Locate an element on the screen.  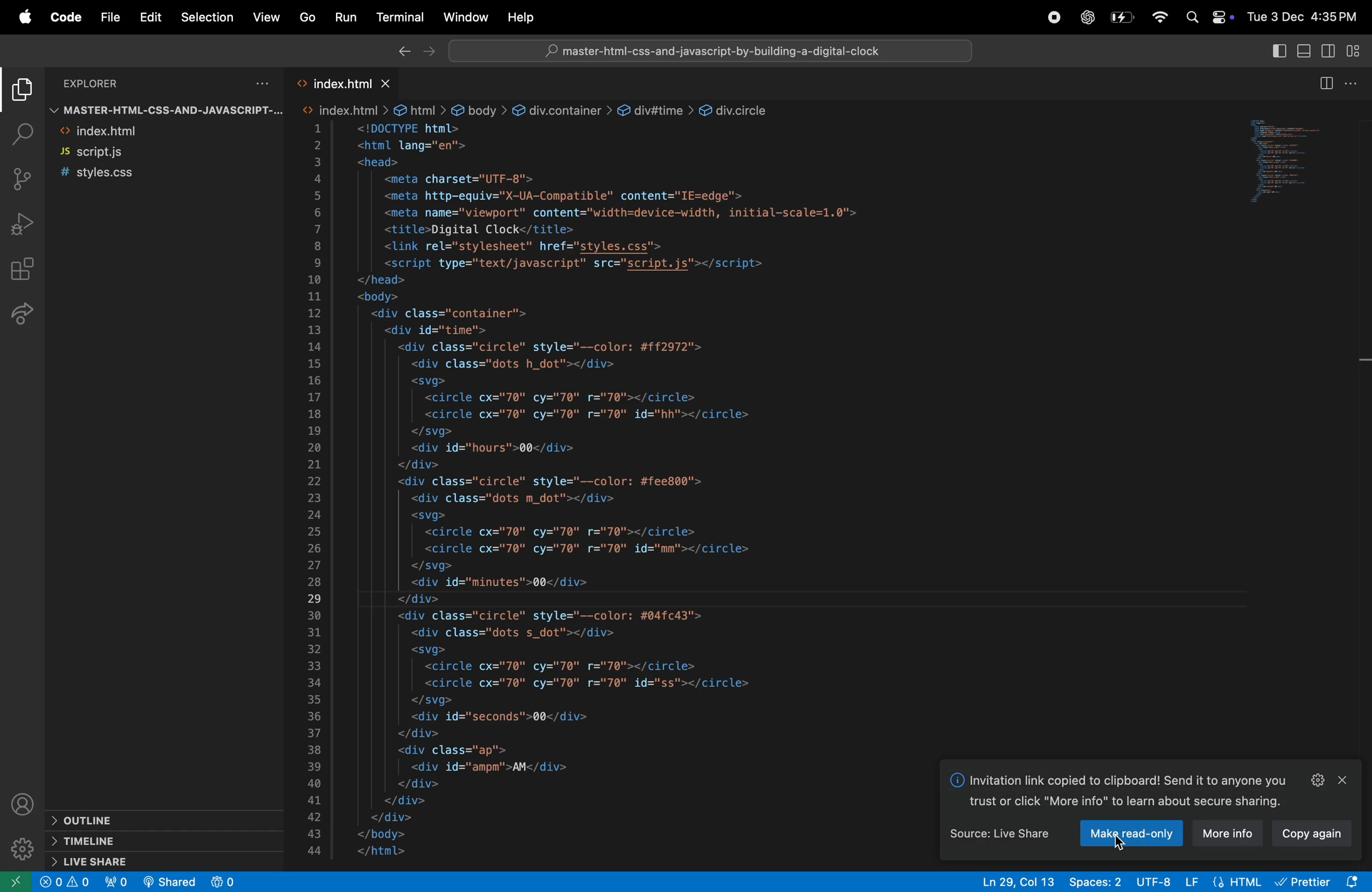
toggle secondary sidebar is located at coordinates (1330, 50).